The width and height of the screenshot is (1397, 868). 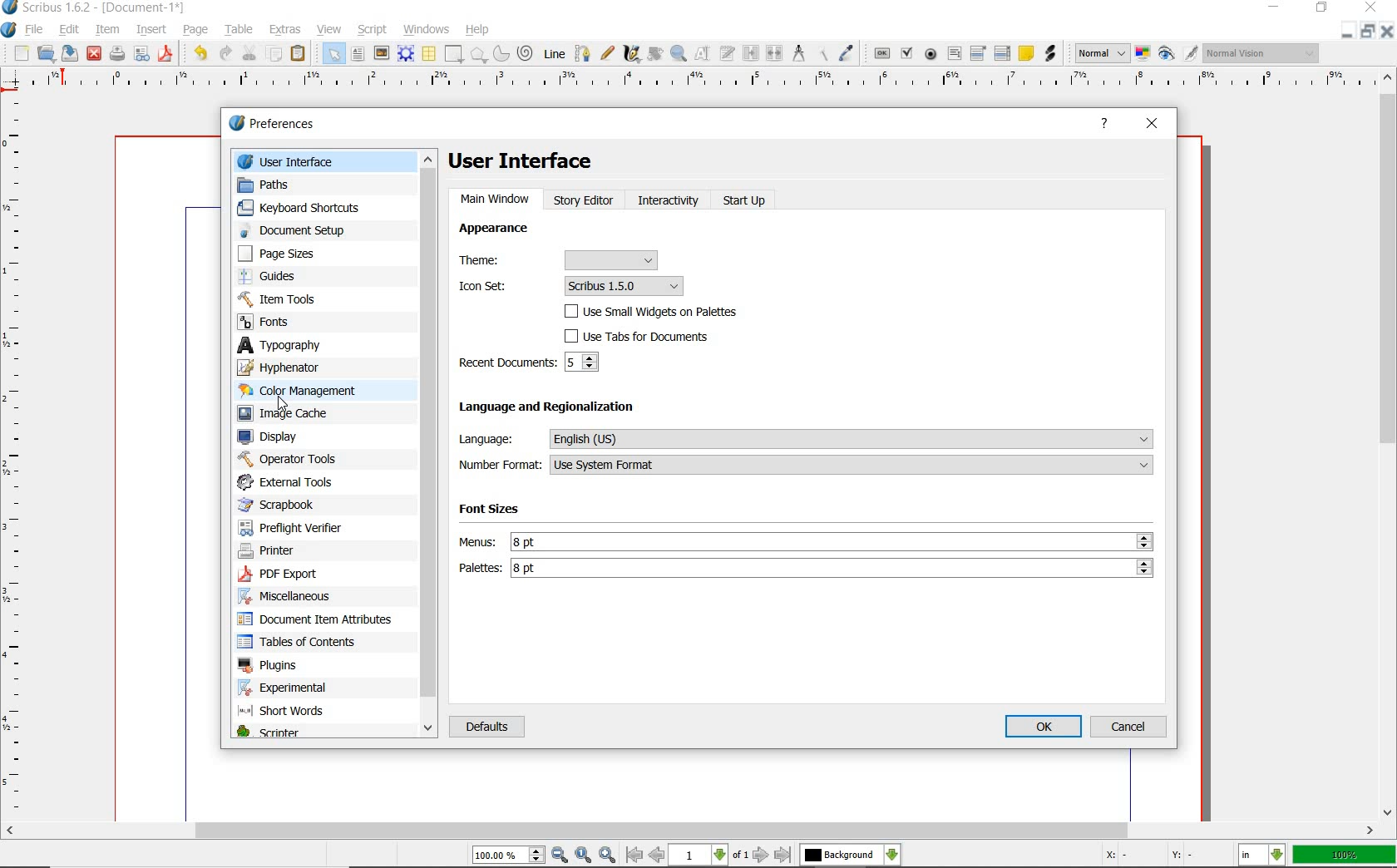 What do you see at coordinates (317, 666) in the screenshot?
I see `plugins` at bounding box center [317, 666].